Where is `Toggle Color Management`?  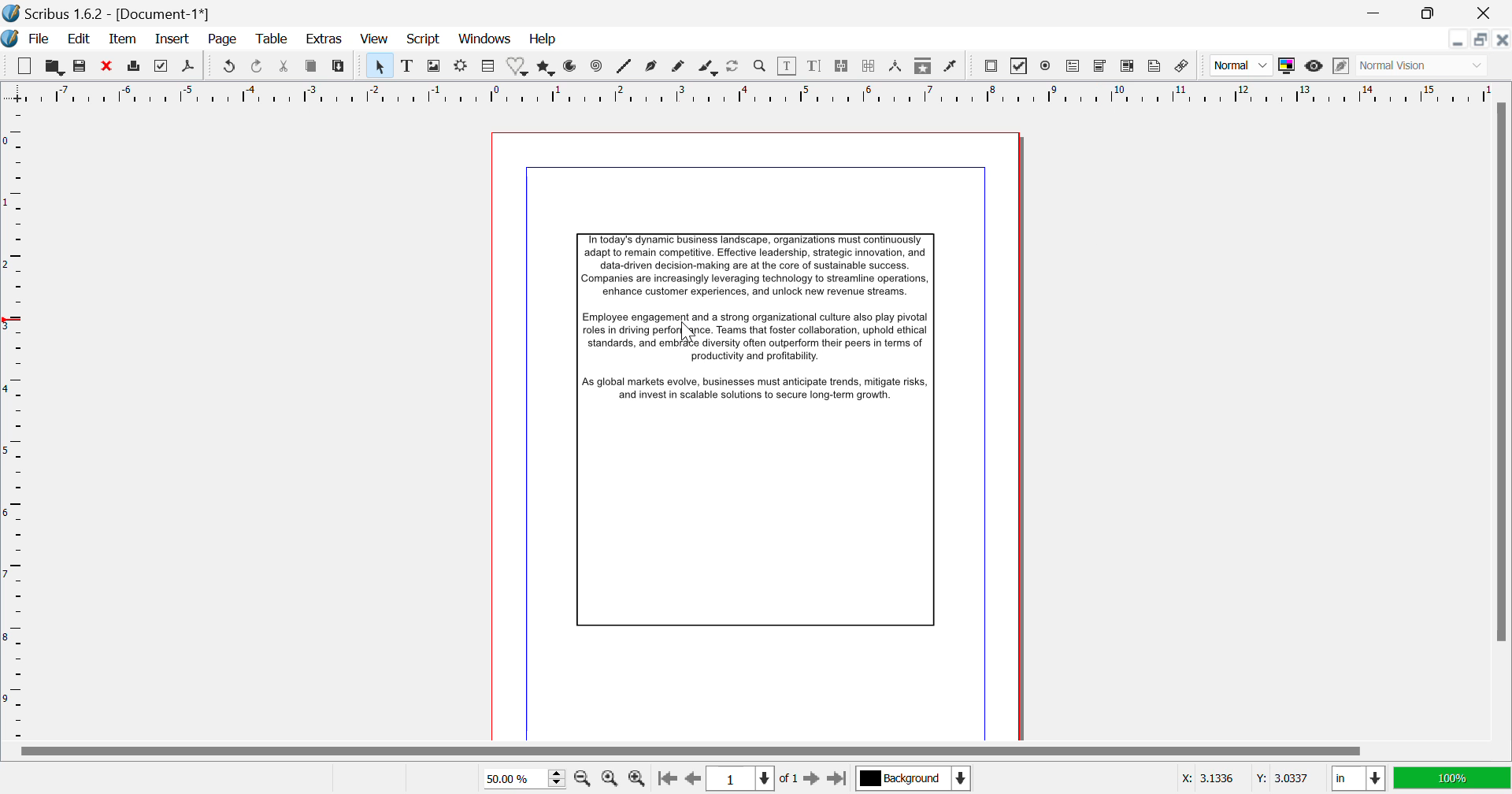
Toggle Color Management is located at coordinates (1288, 65).